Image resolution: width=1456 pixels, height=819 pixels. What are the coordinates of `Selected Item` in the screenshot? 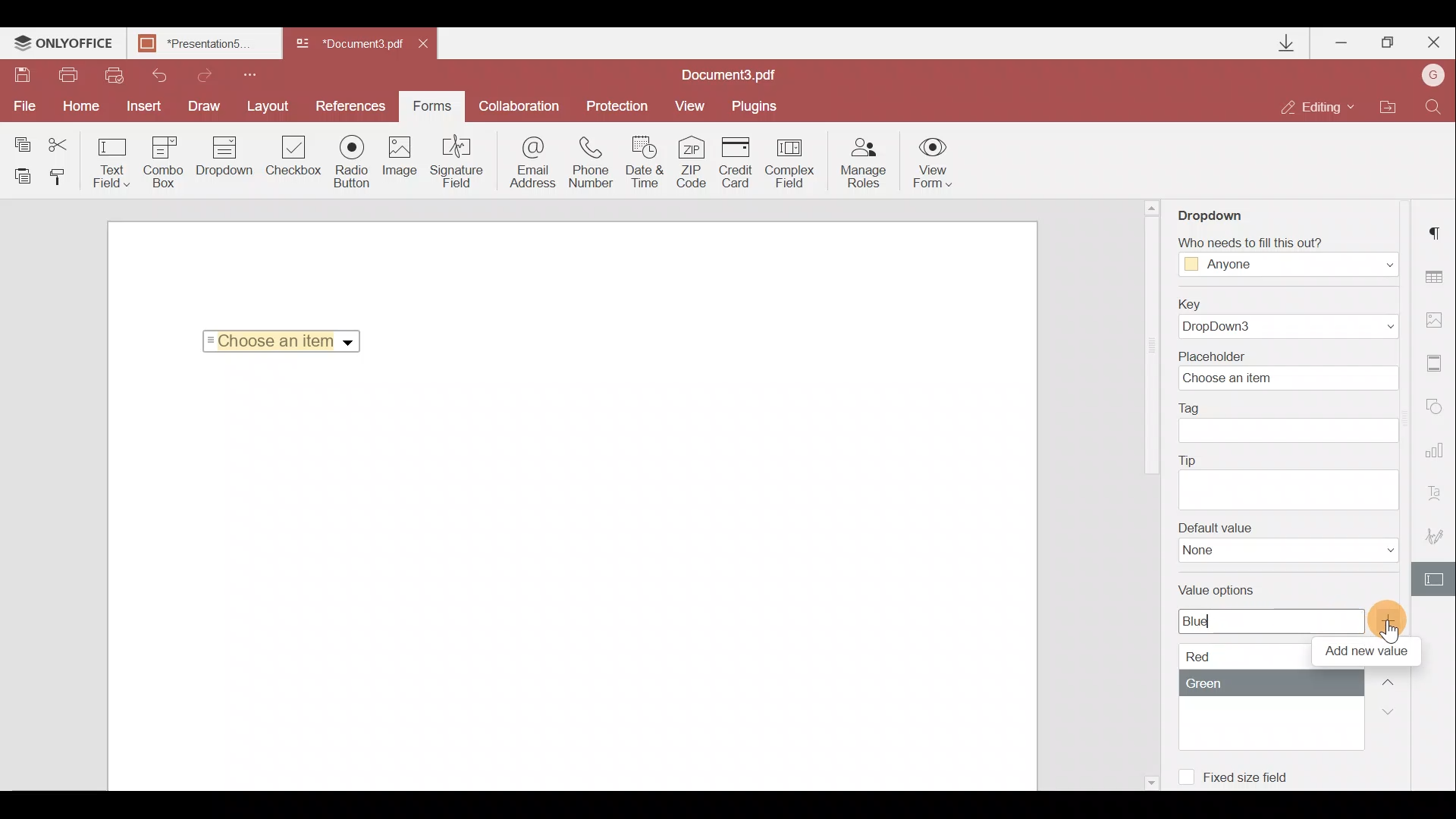 It's located at (277, 340).